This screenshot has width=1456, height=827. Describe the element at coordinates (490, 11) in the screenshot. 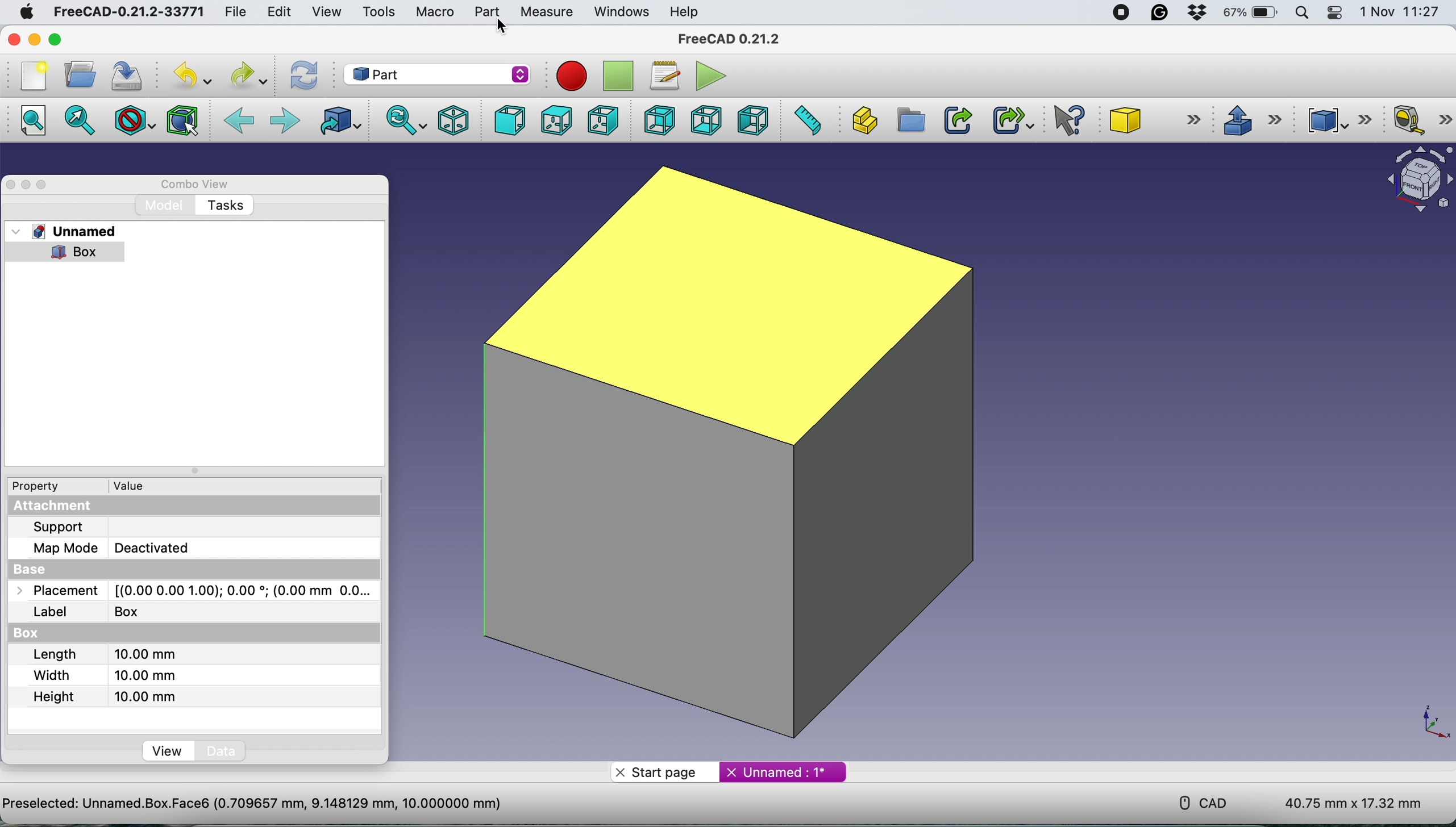

I see `part` at that location.